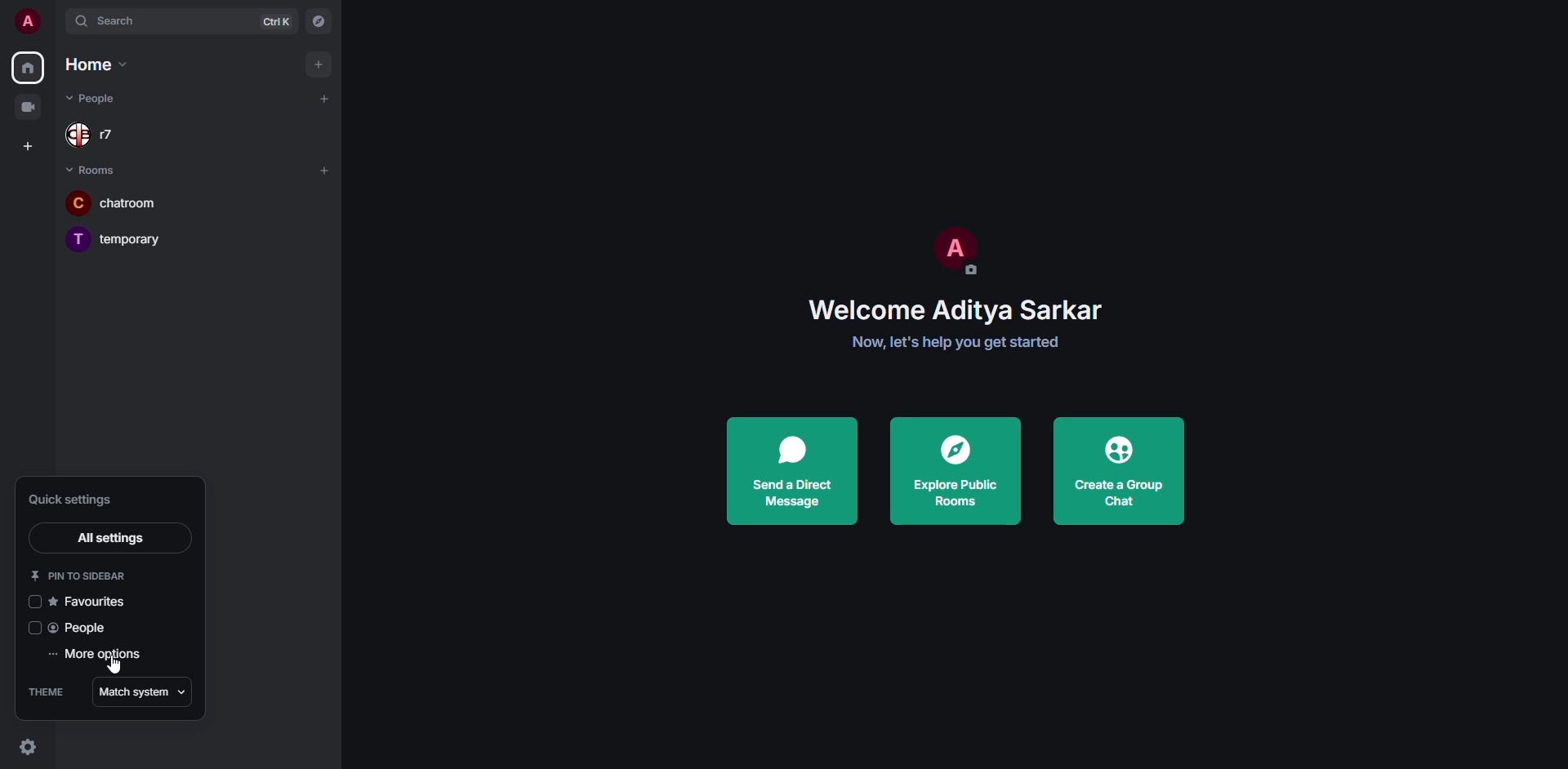 The image size is (1568, 769). Describe the element at coordinates (114, 203) in the screenshot. I see `room` at that location.